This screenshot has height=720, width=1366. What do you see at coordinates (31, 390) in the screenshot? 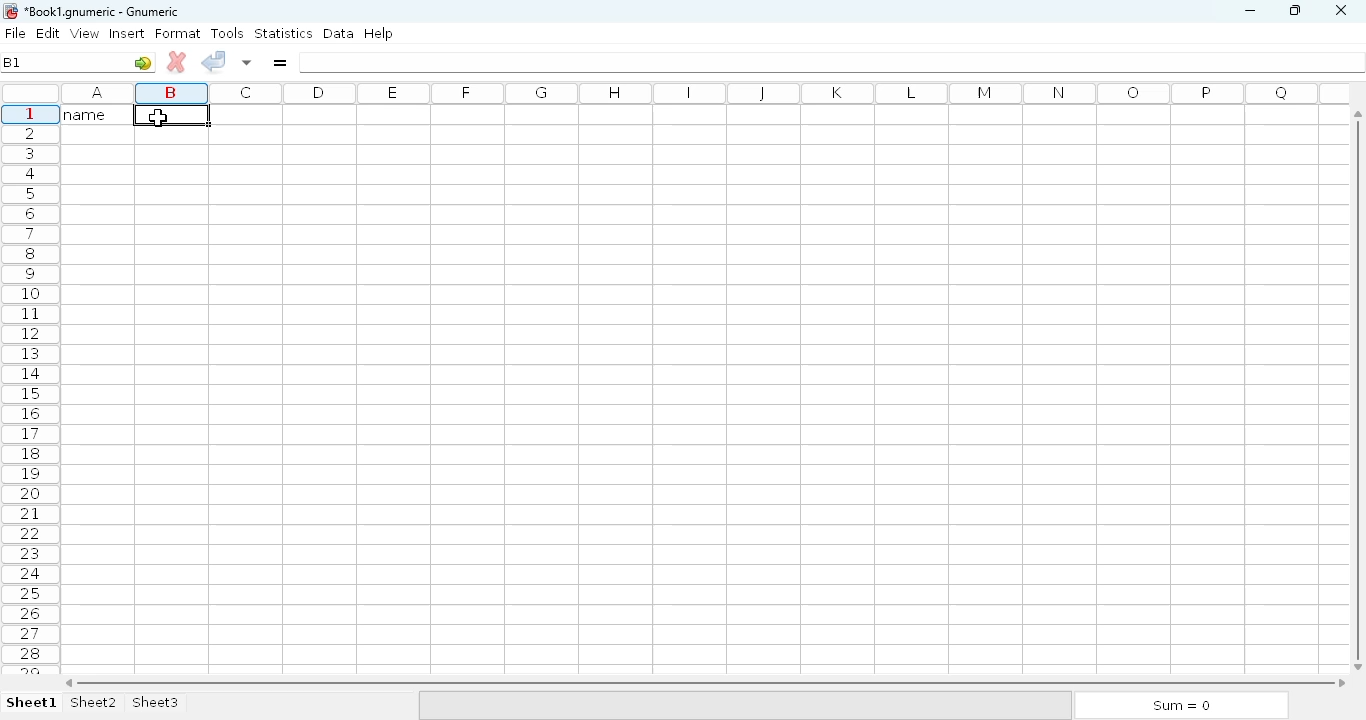
I see `rows` at bounding box center [31, 390].